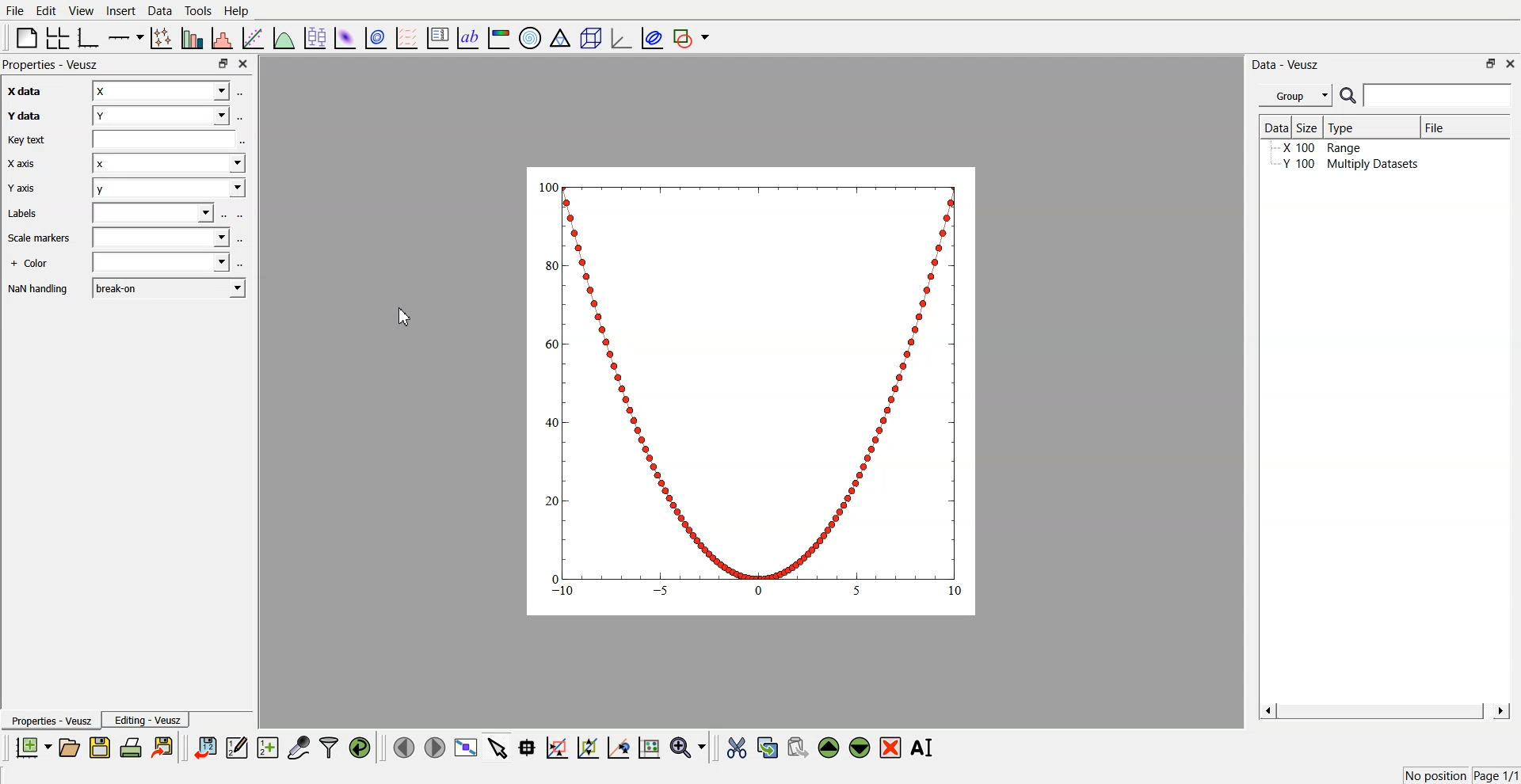 This screenshot has width=1521, height=784. Describe the element at coordinates (1491, 63) in the screenshot. I see `minimise or maximise` at that location.